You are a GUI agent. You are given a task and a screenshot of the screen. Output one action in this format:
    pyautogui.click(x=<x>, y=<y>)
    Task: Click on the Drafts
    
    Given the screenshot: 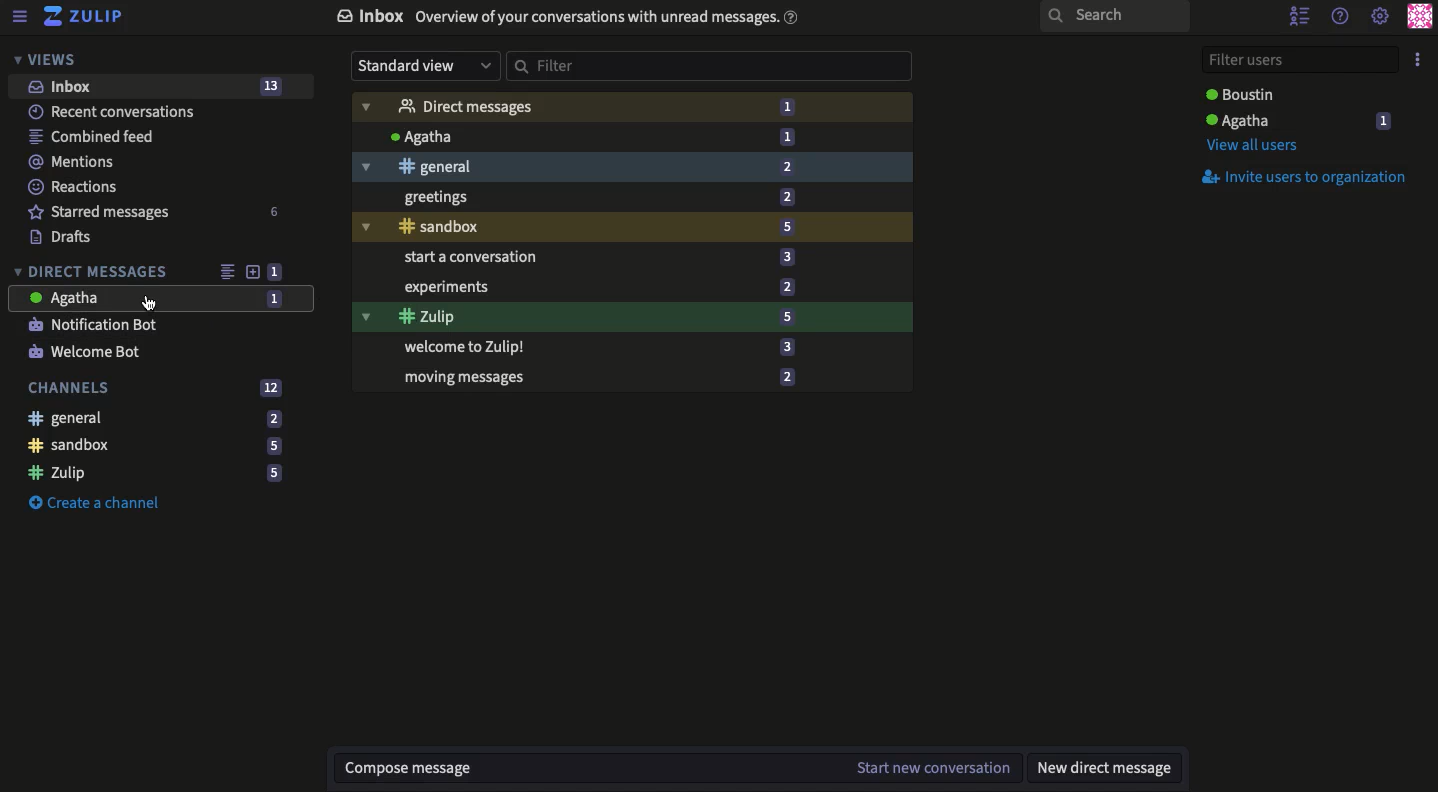 What is the action you would take?
    pyautogui.click(x=68, y=237)
    